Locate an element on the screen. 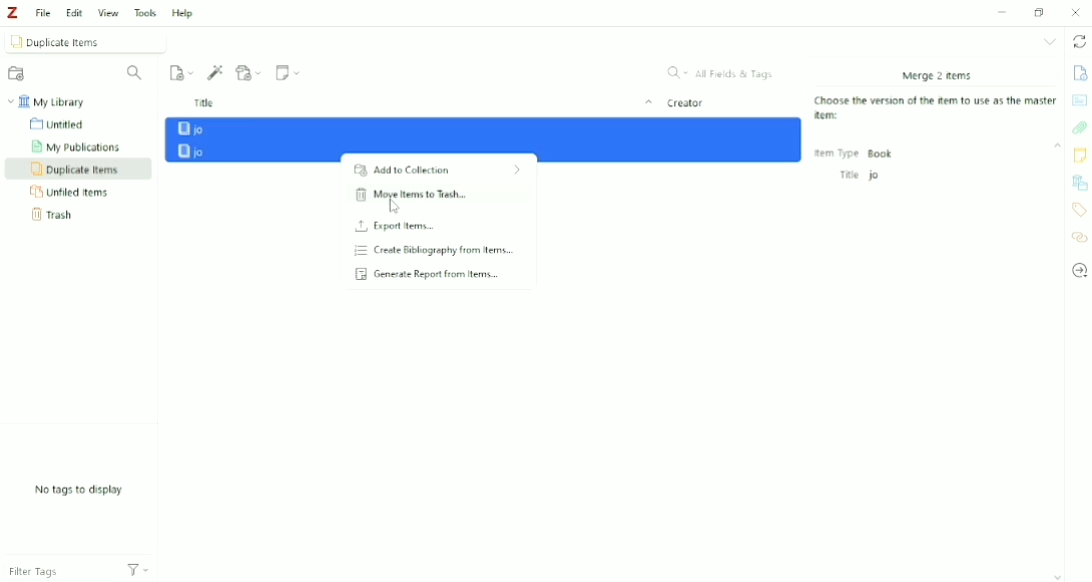 The height and width of the screenshot is (582, 1092). Tools is located at coordinates (145, 13).